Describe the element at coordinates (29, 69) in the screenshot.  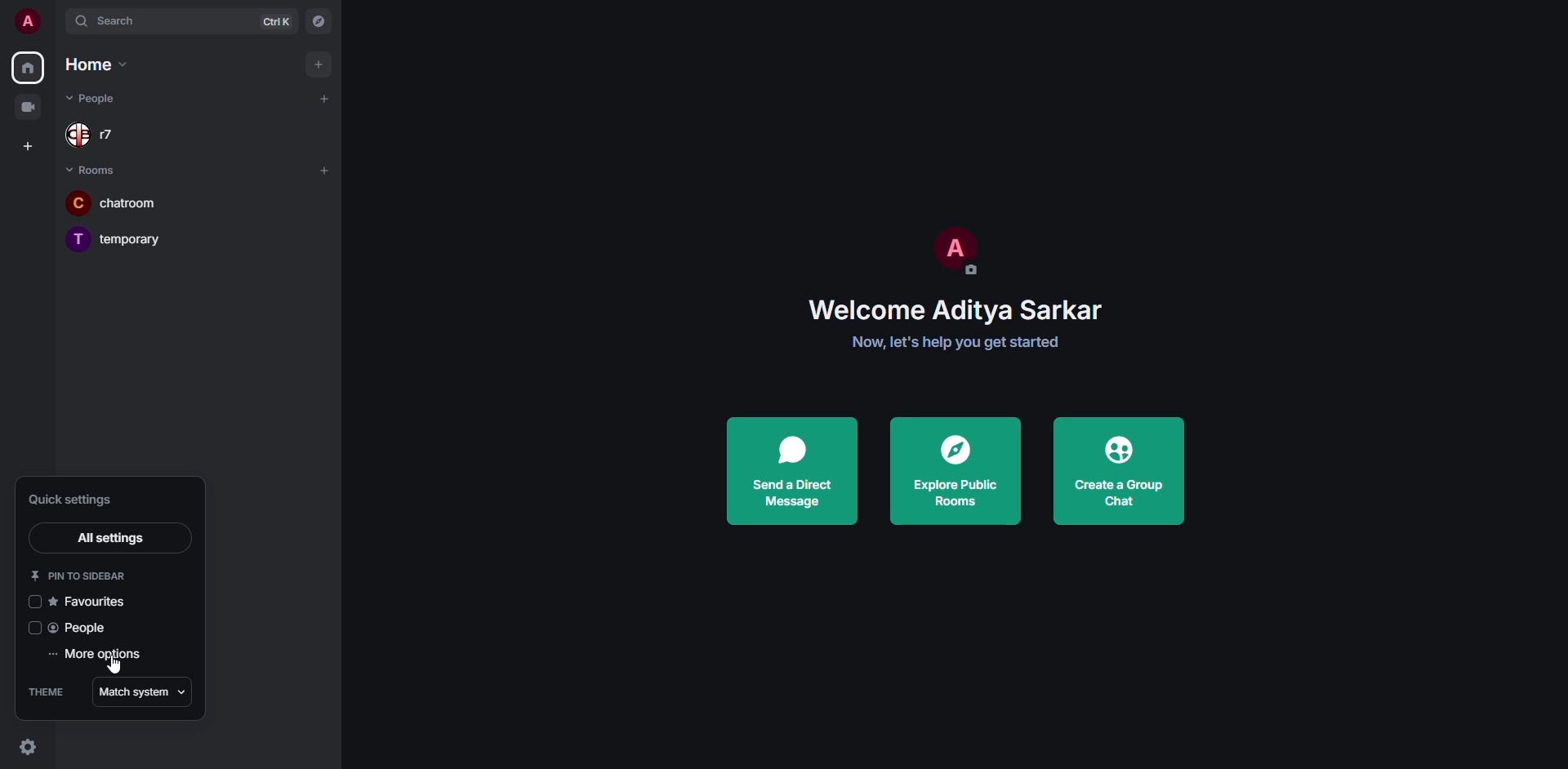
I see `home` at that location.